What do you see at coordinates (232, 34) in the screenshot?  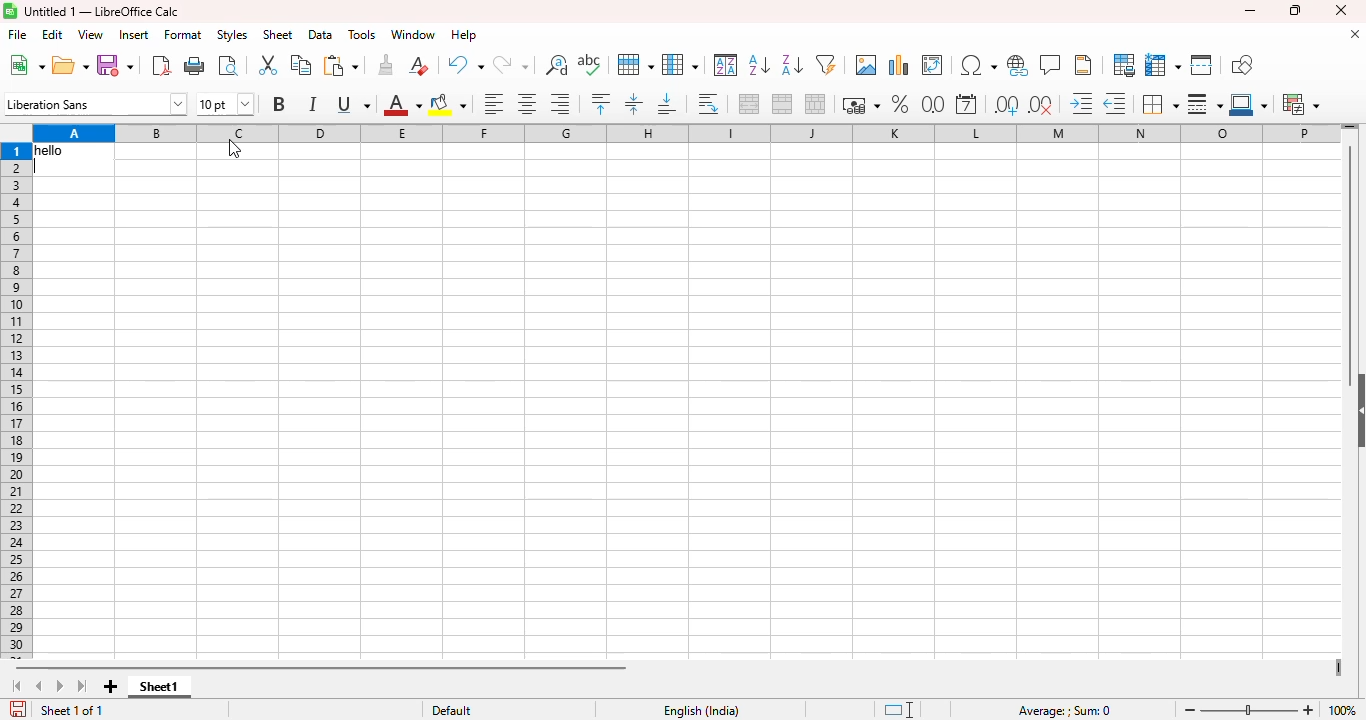 I see `styles` at bounding box center [232, 34].